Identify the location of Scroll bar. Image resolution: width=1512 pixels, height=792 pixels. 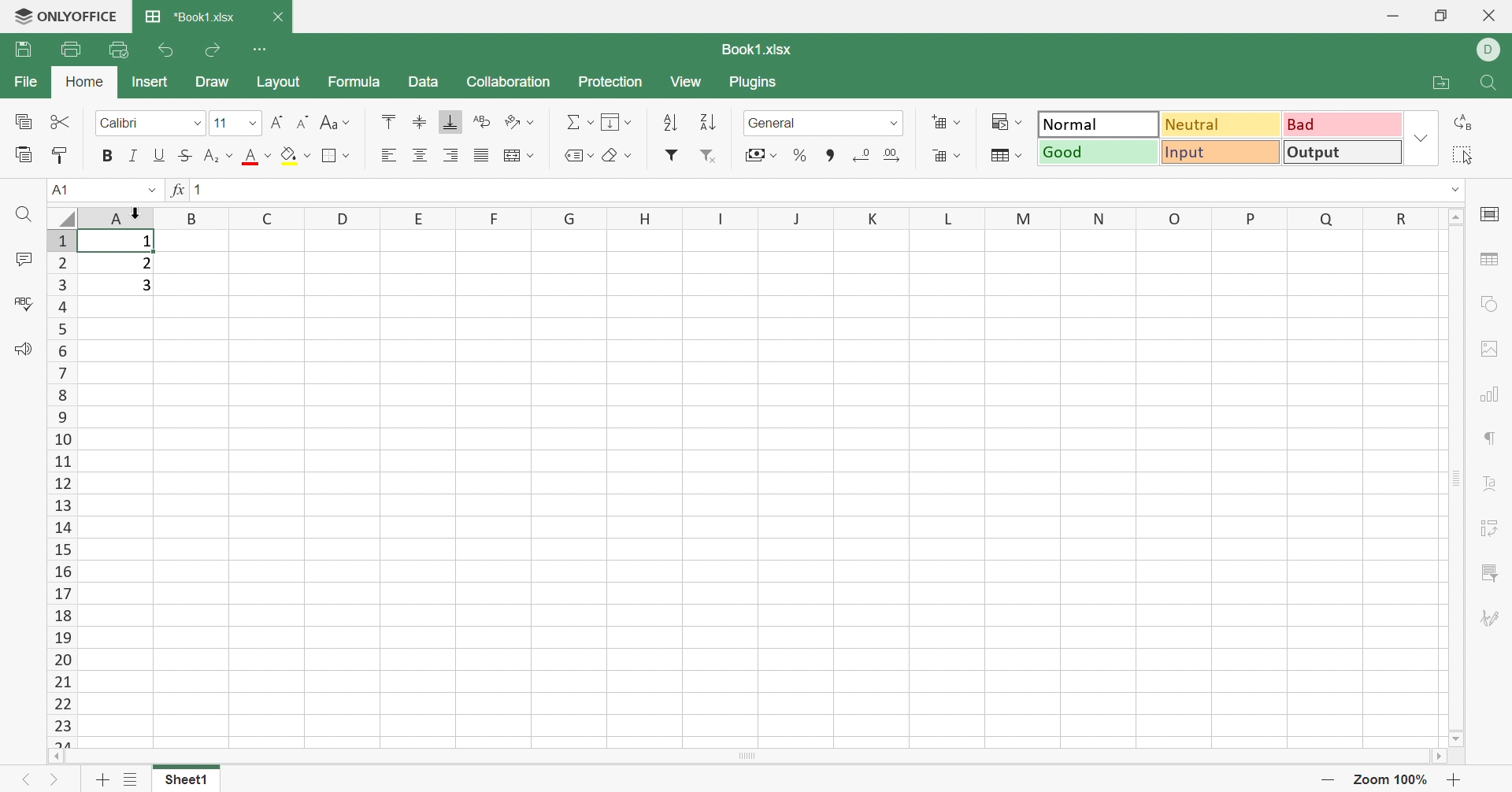
(742, 757).